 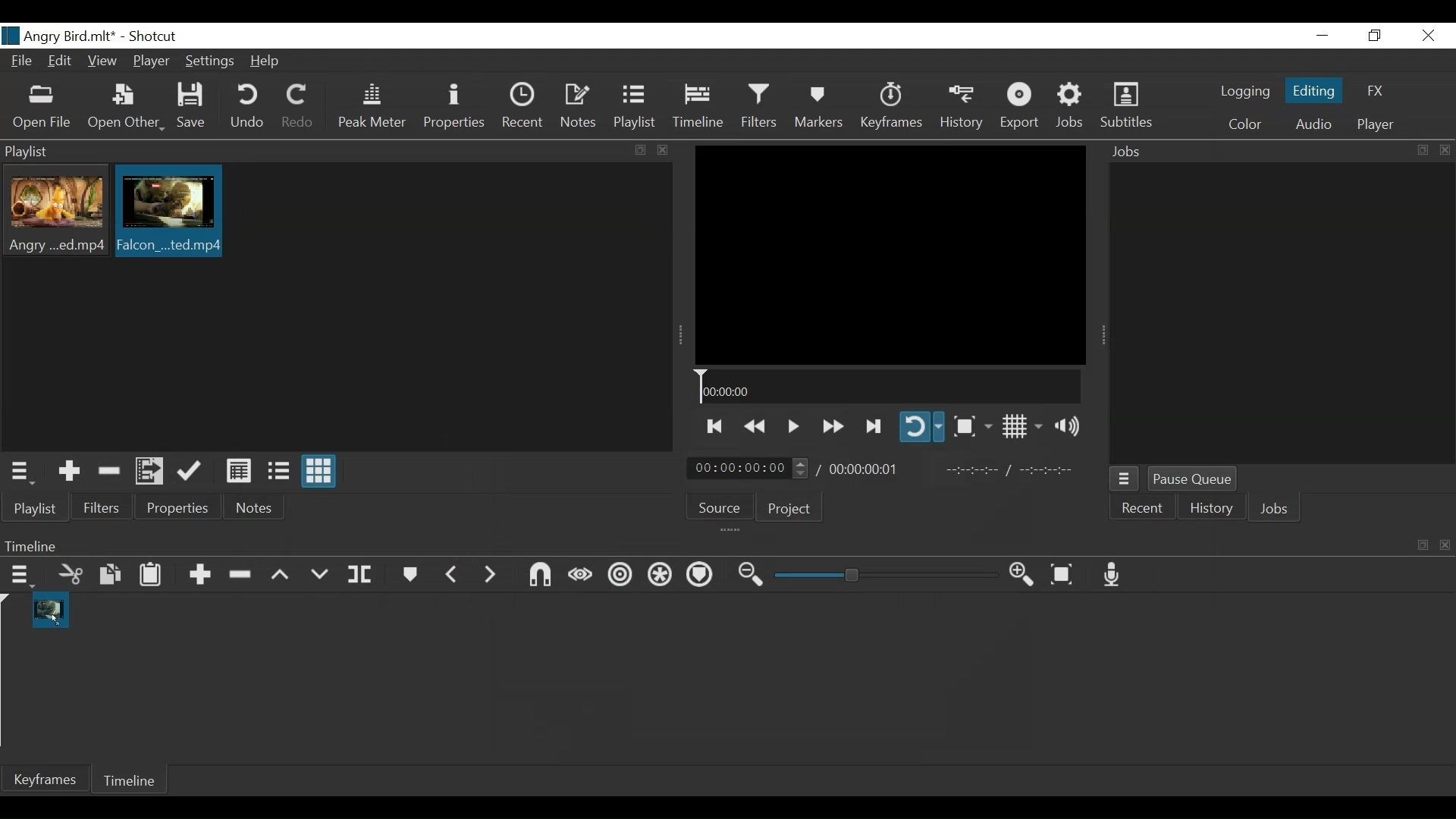 What do you see at coordinates (1212, 510) in the screenshot?
I see `History` at bounding box center [1212, 510].